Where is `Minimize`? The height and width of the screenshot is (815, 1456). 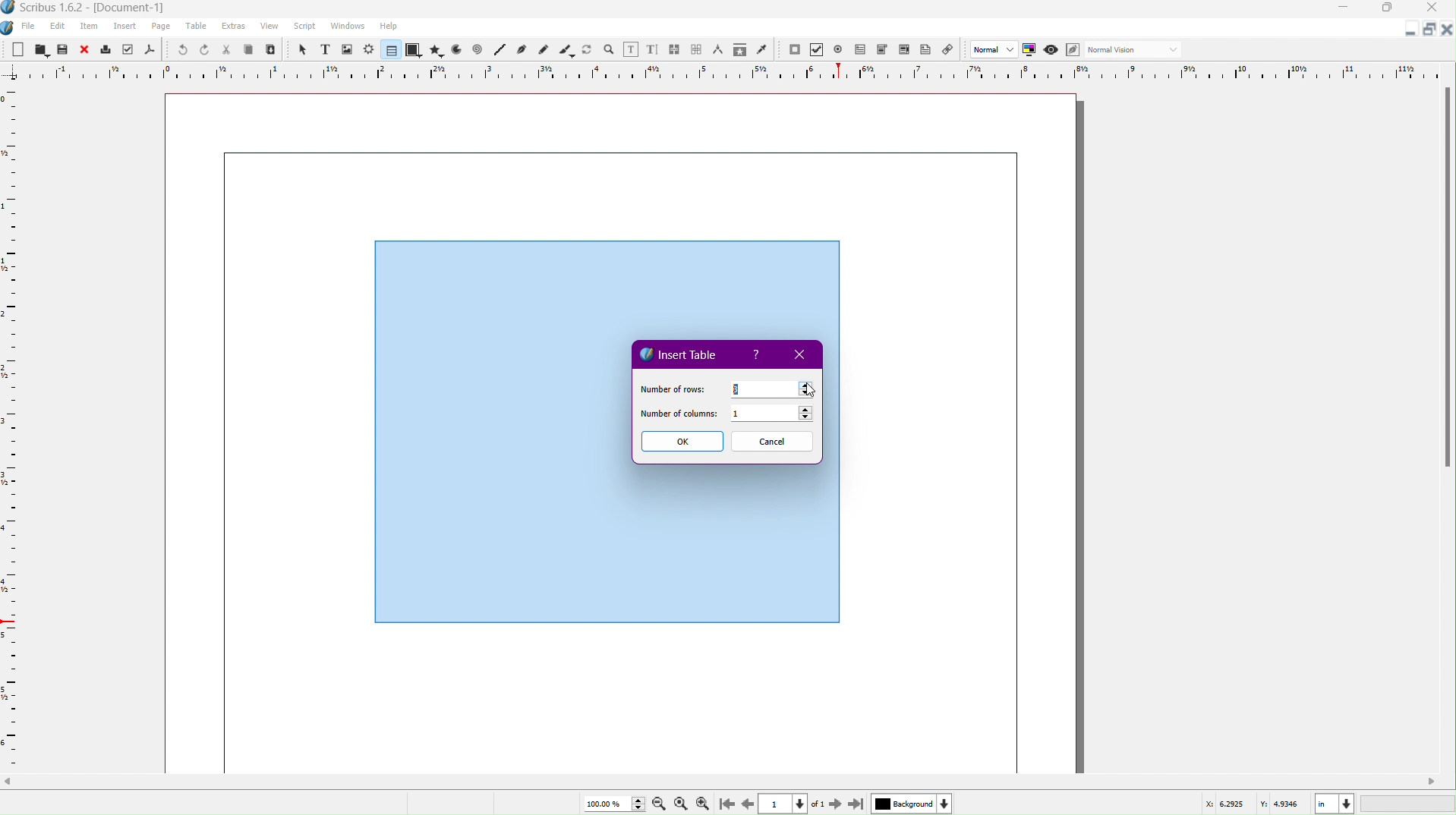
Minimize is located at coordinates (1407, 31).